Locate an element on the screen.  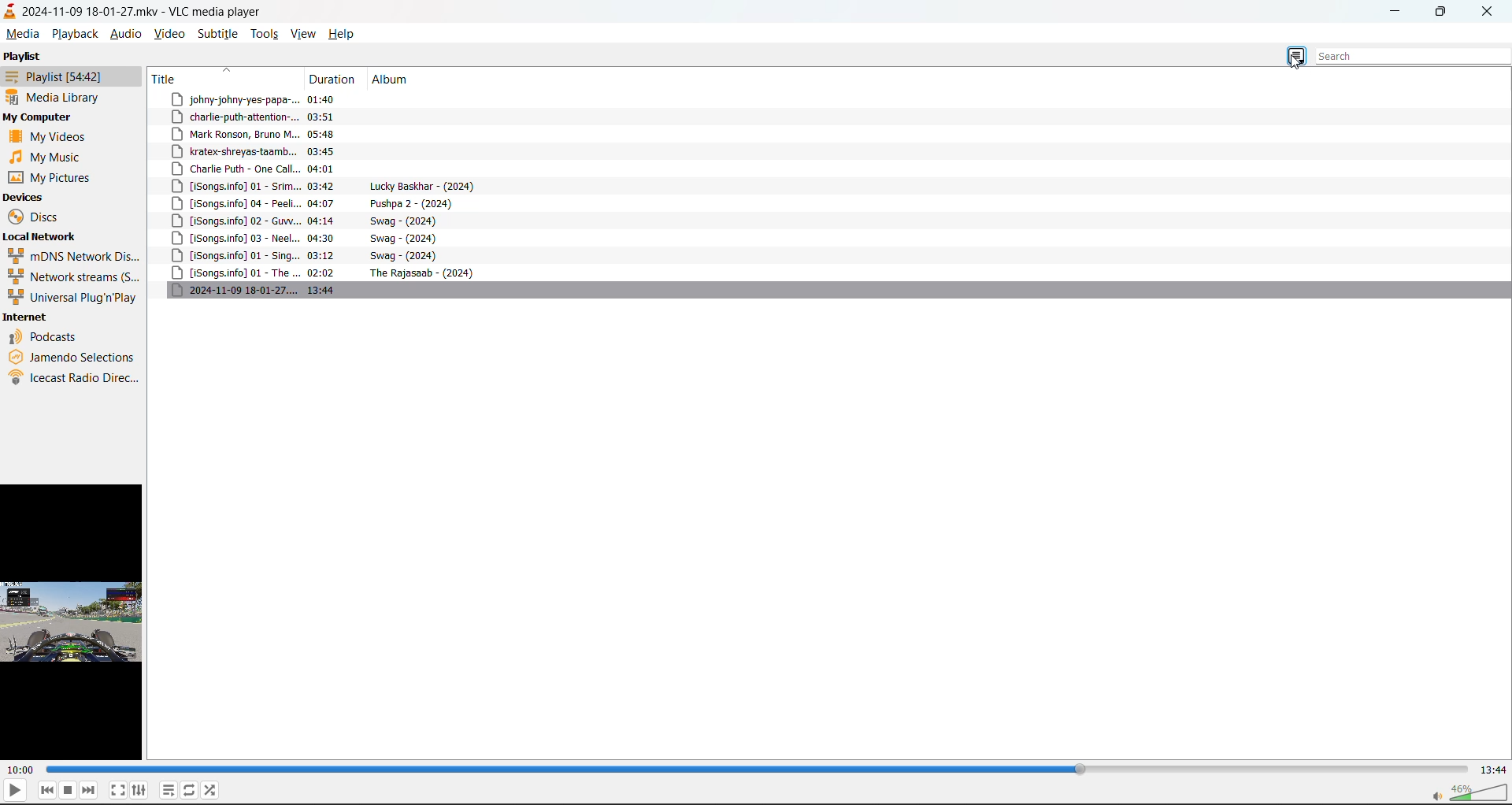
loop is located at coordinates (188, 789).